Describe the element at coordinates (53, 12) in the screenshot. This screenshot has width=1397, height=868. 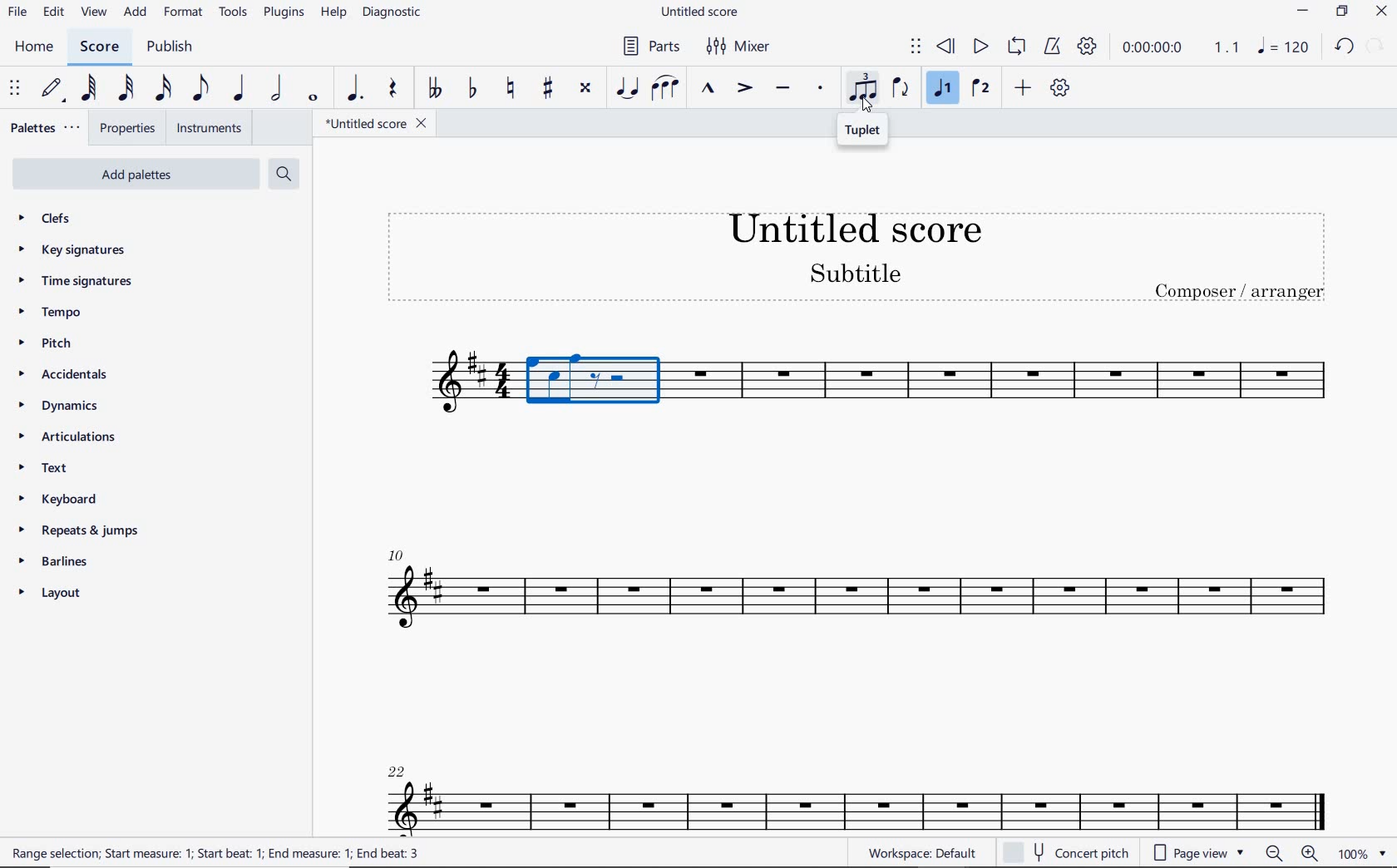
I see `EDIT` at that location.